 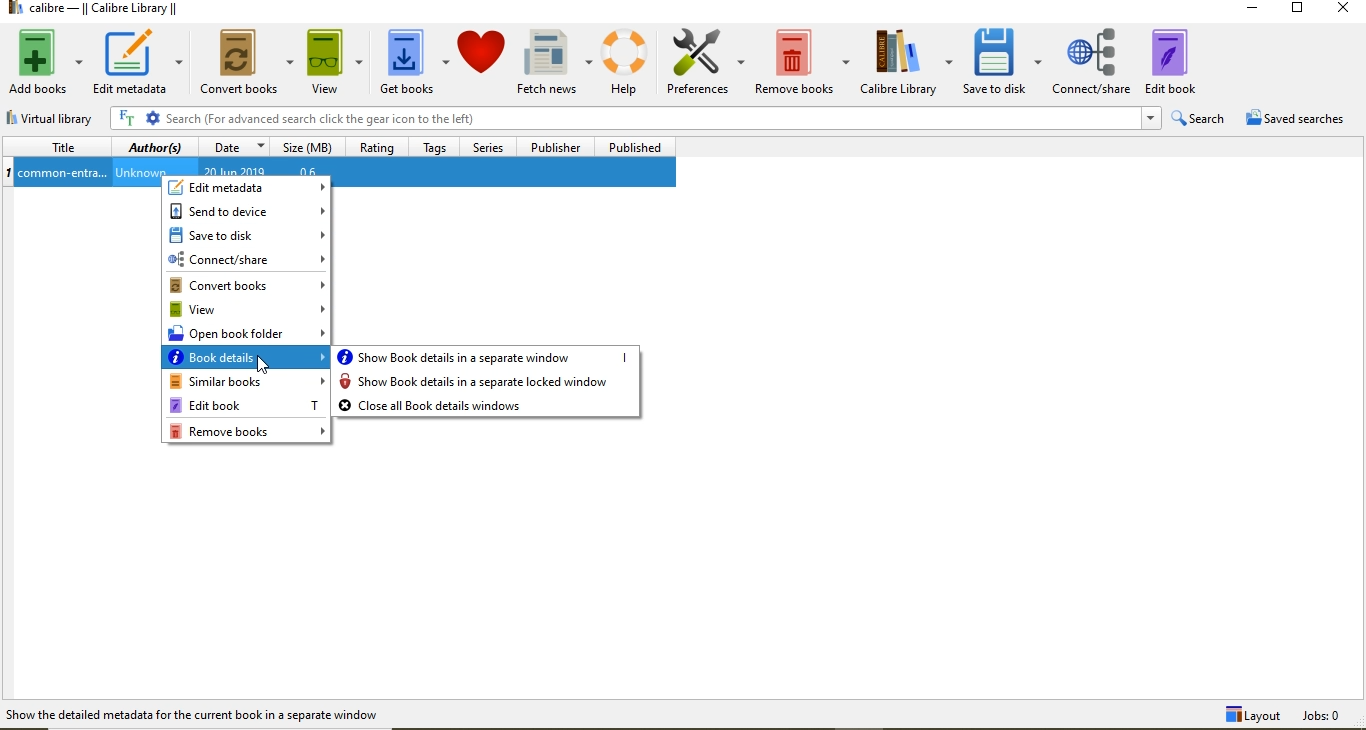 I want to click on view, so click(x=335, y=61).